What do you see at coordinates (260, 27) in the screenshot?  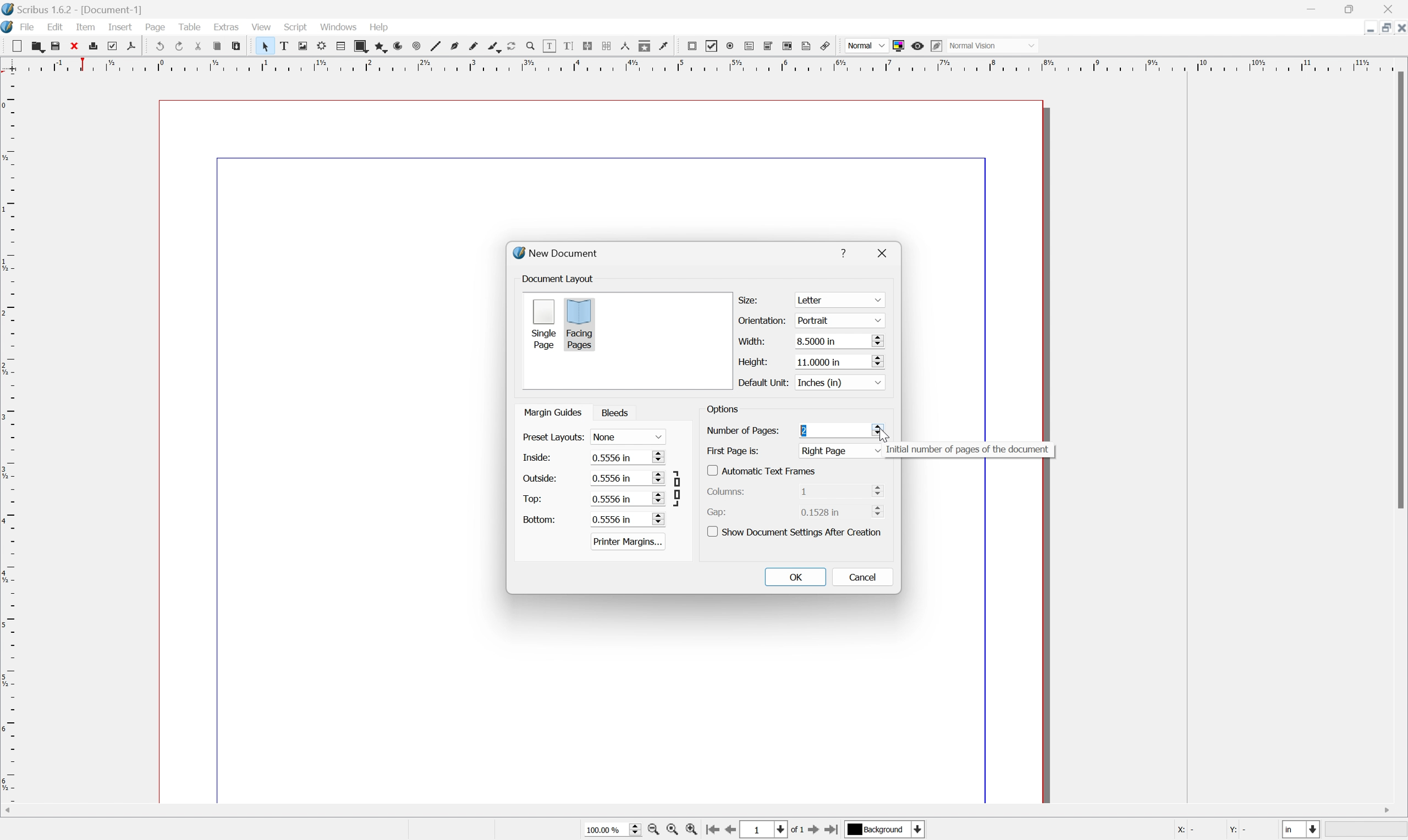 I see `View` at bounding box center [260, 27].